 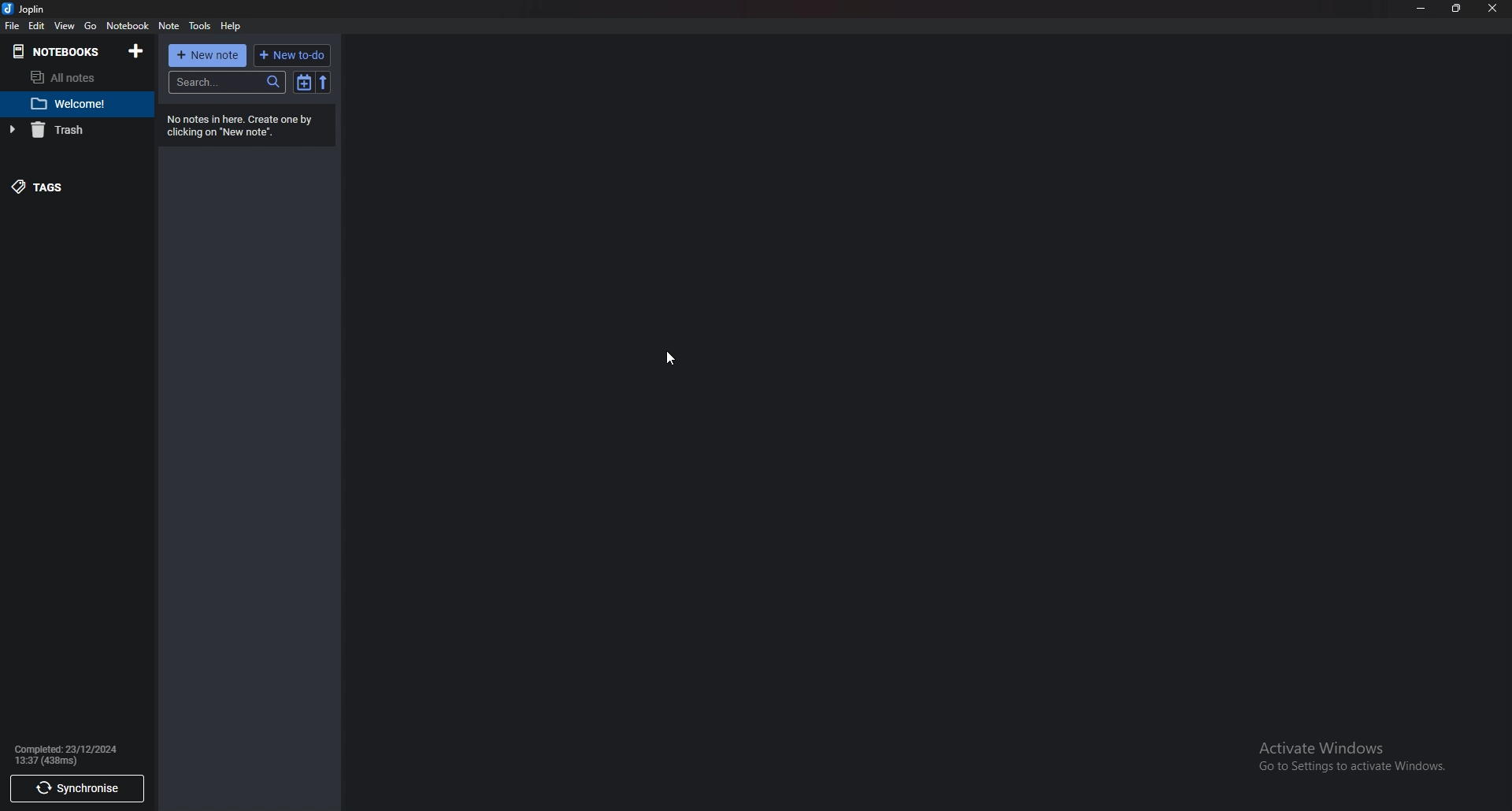 What do you see at coordinates (206, 56) in the screenshot?
I see `New note` at bounding box center [206, 56].